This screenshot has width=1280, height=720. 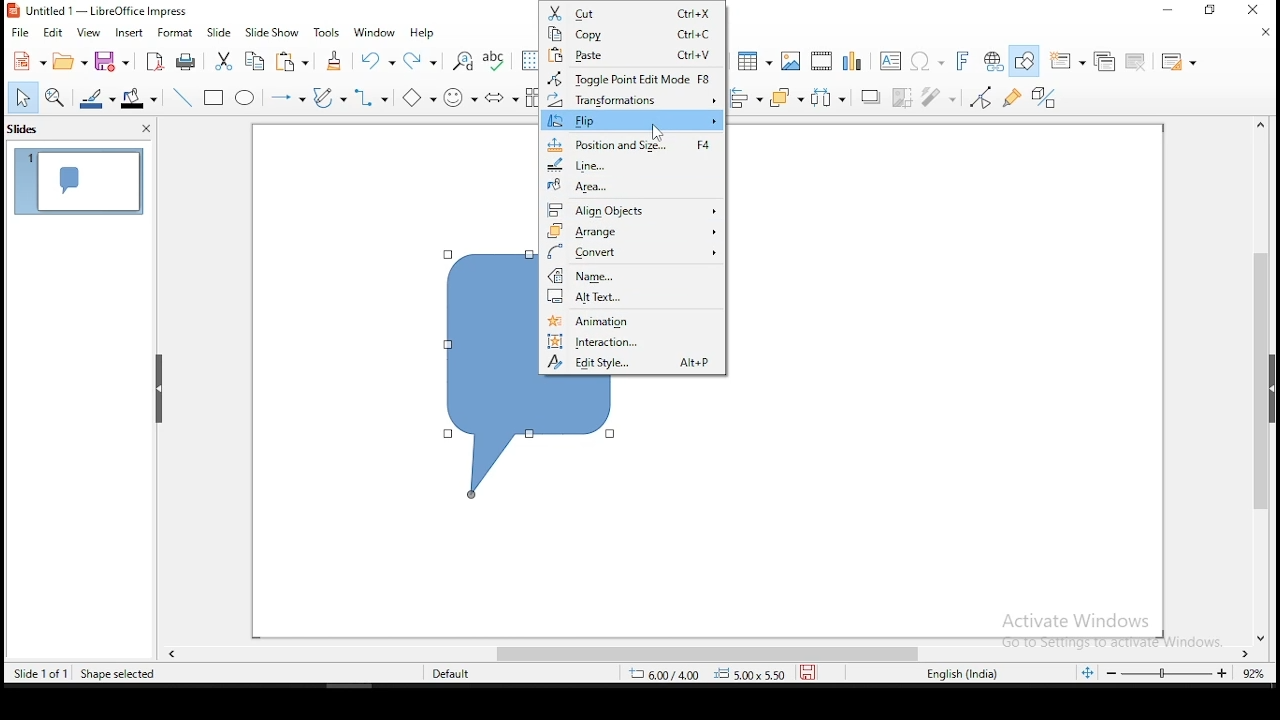 What do you see at coordinates (287, 100) in the screenshot?
I see `lines and arrows` at bounding box center [287, 100].